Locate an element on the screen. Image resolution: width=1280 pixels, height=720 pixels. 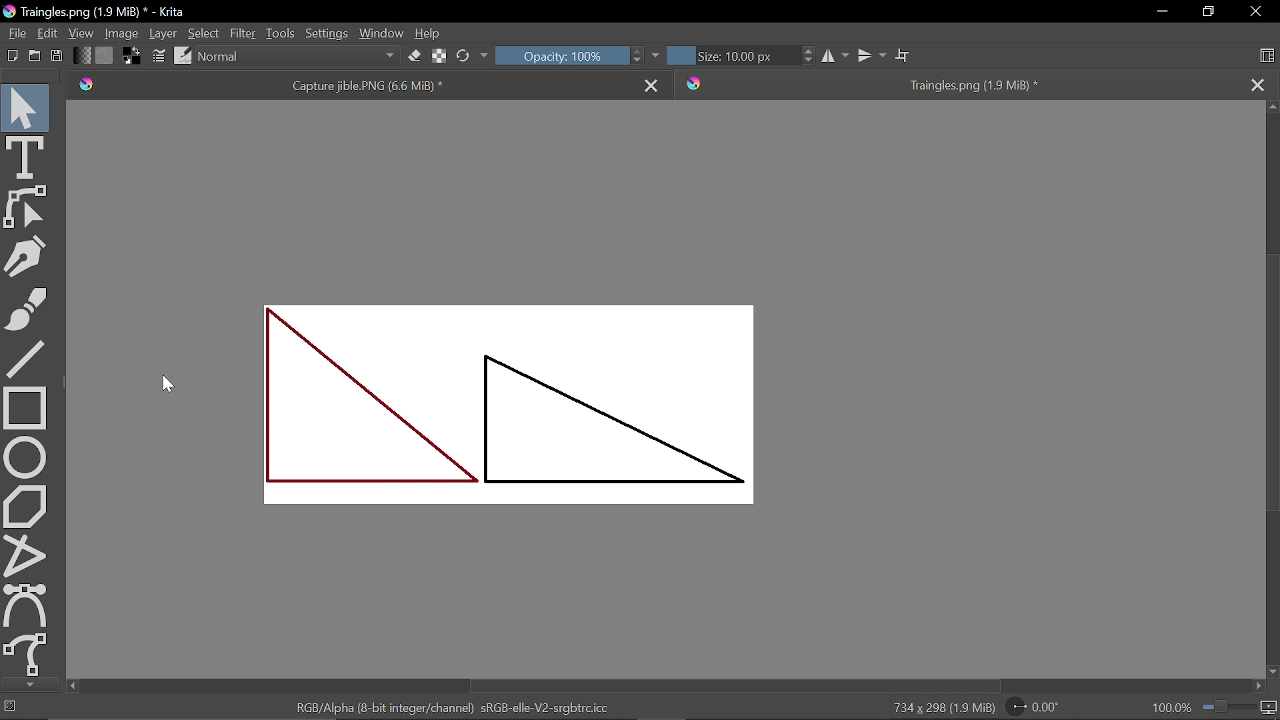
Ellipse tool is located at coordinates (28, 456).